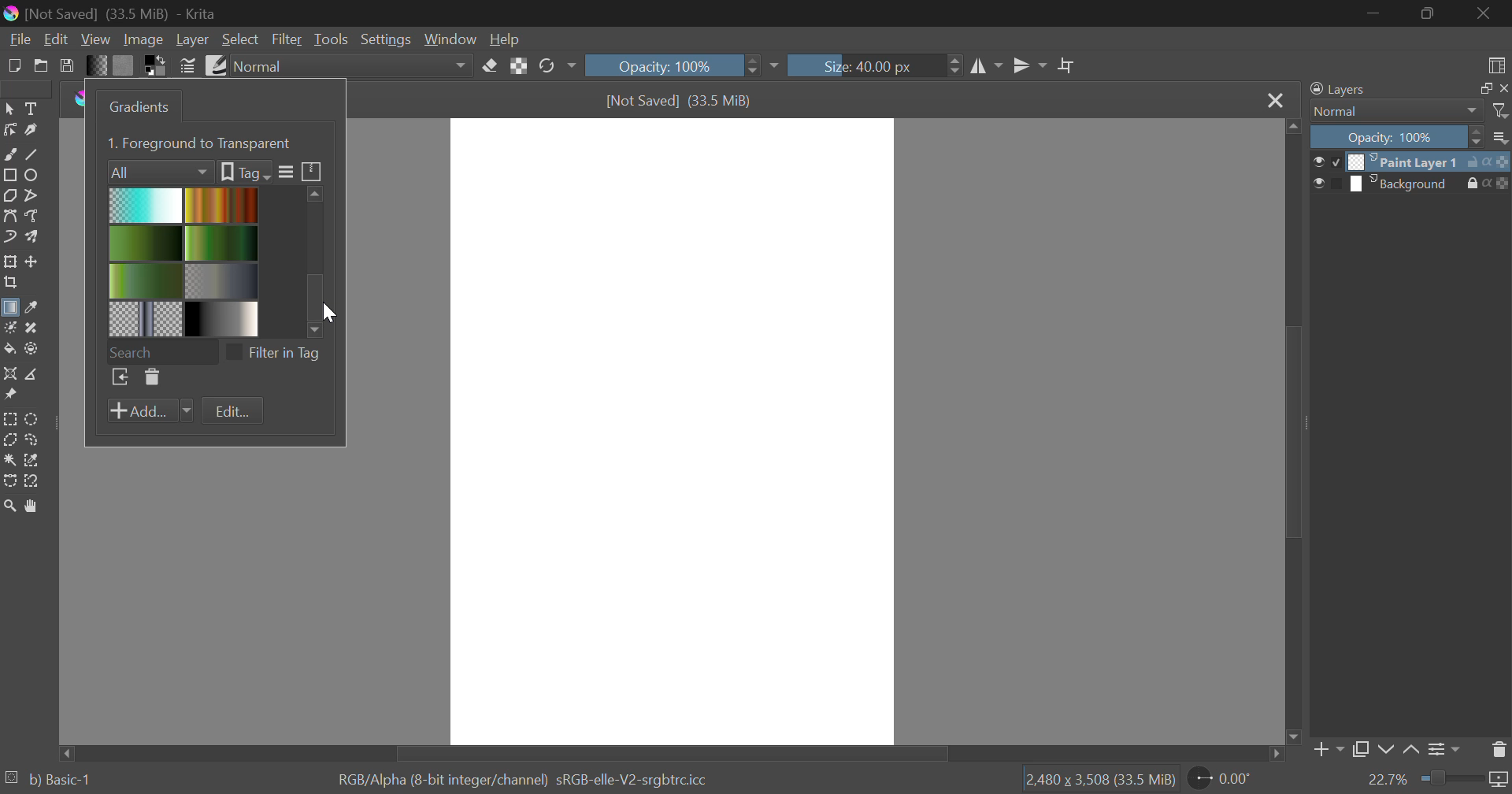 Image resolution: width=1512 pixels, height=794 pixels. I want to click on Opacity: 100%, so click(680, 65).